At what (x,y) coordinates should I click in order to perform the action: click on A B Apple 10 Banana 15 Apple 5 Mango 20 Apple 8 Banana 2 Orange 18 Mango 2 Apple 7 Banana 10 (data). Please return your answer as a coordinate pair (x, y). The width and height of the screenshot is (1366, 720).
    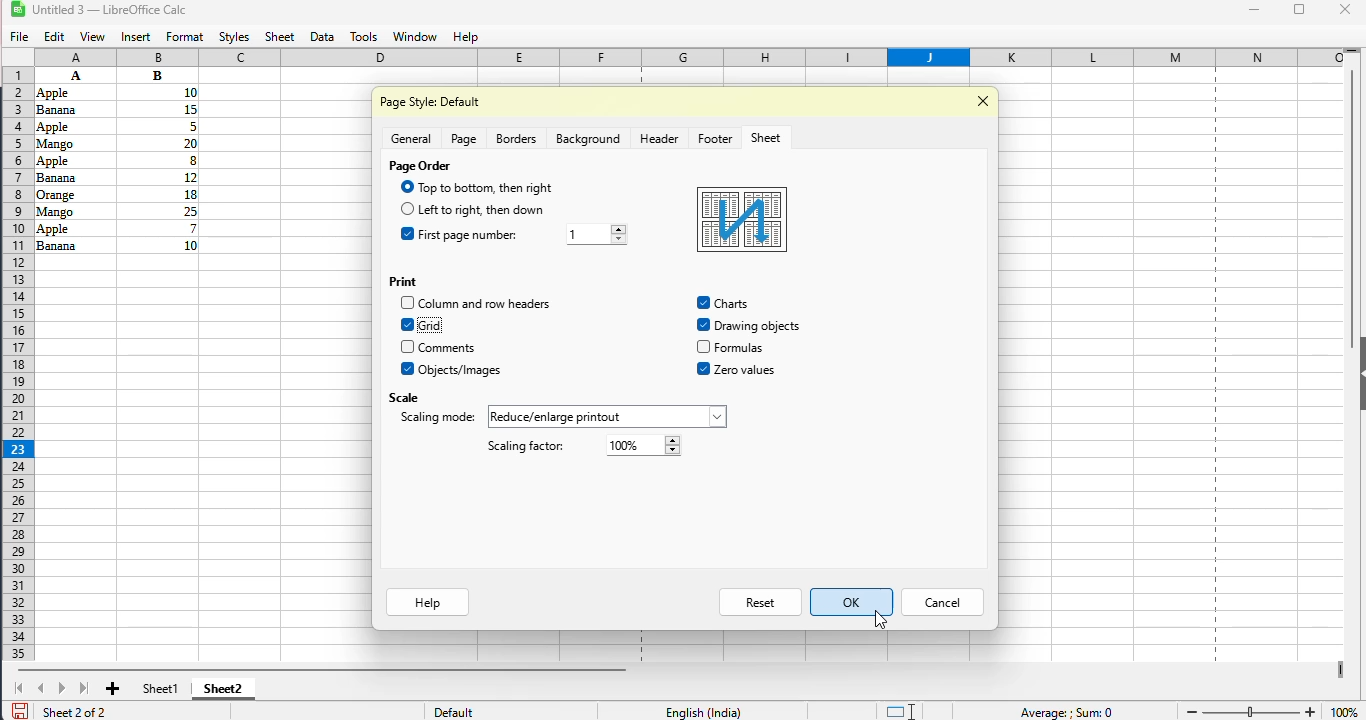
    Looking at the image, I should click on (75, 75).